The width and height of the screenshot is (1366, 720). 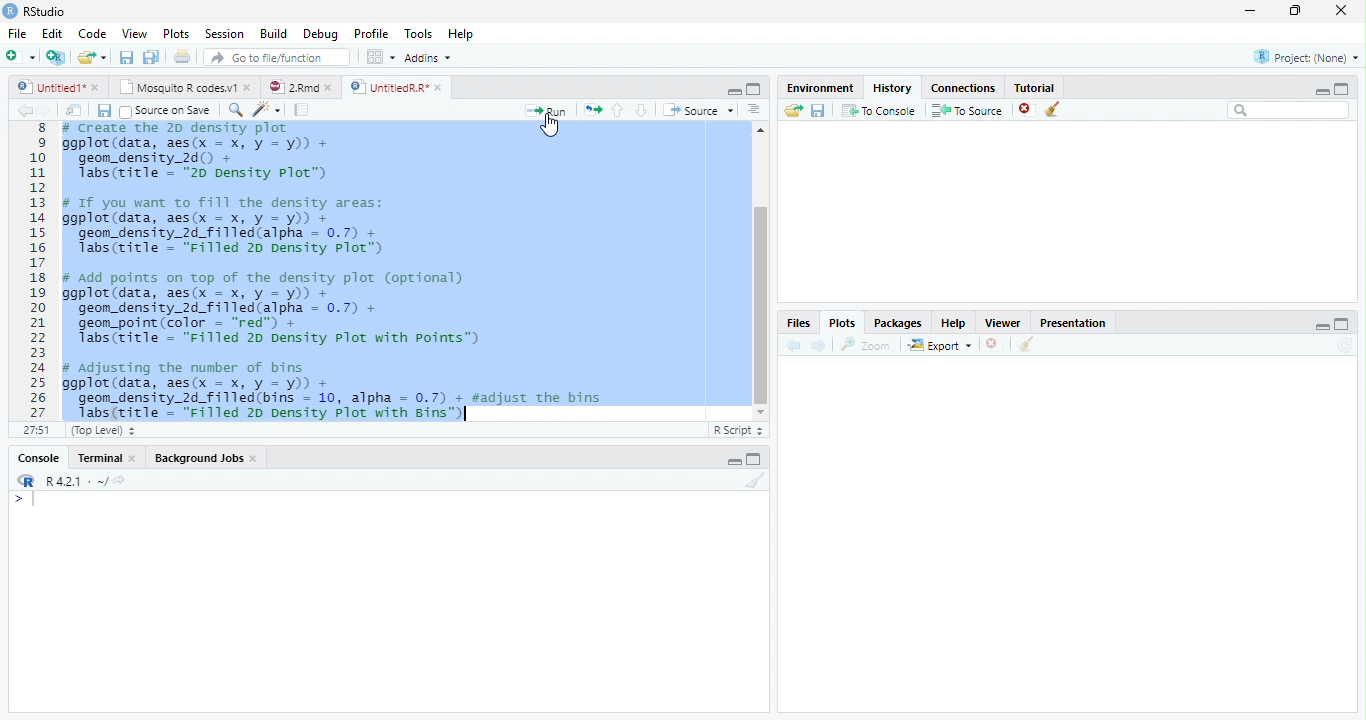 What do you see at coordinates (178, 87) in the screenshot?
I see `‘Mosquito R codes.v1` at bounding box center [178, 87].